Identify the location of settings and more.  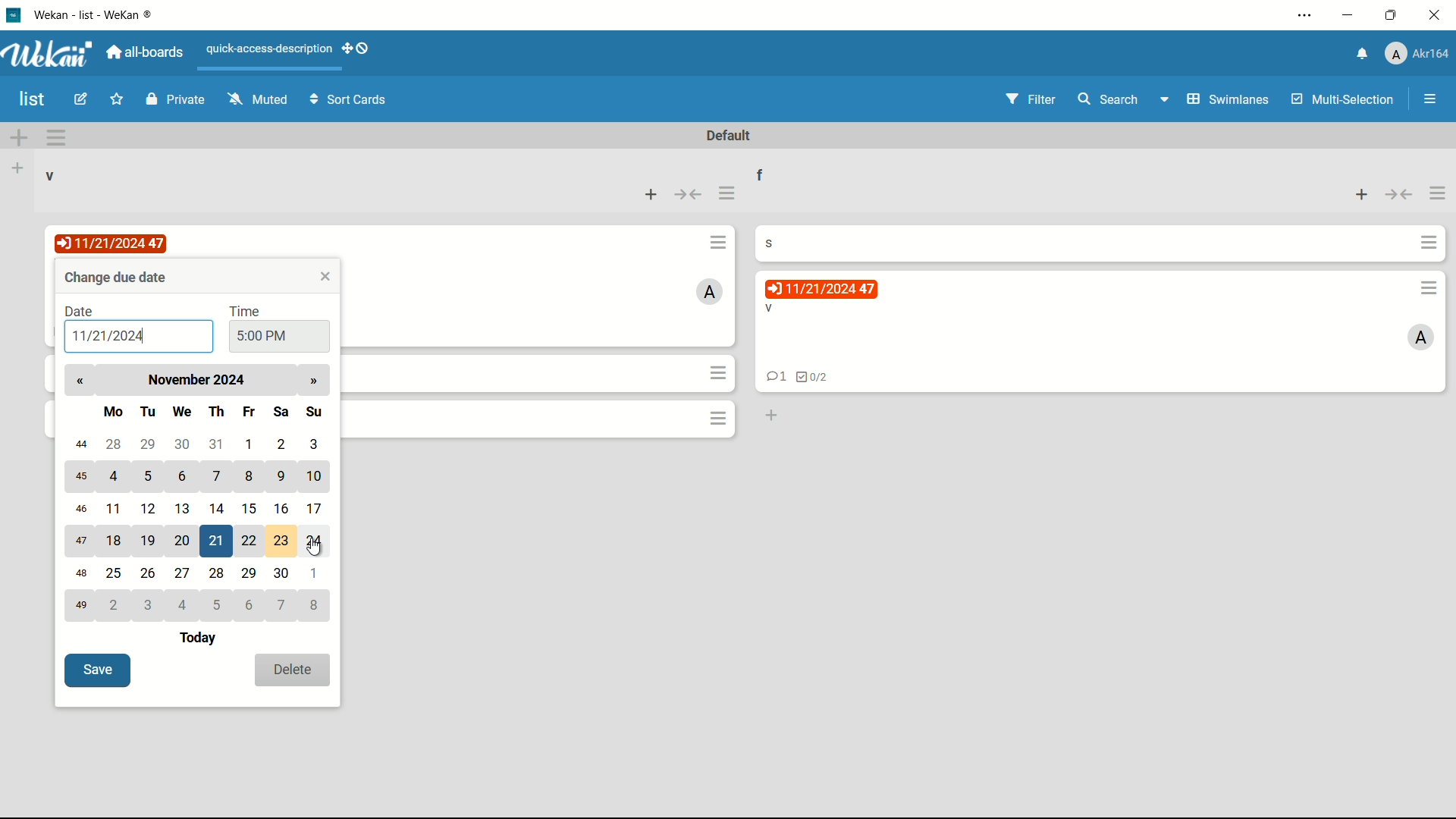
(1308, 15).